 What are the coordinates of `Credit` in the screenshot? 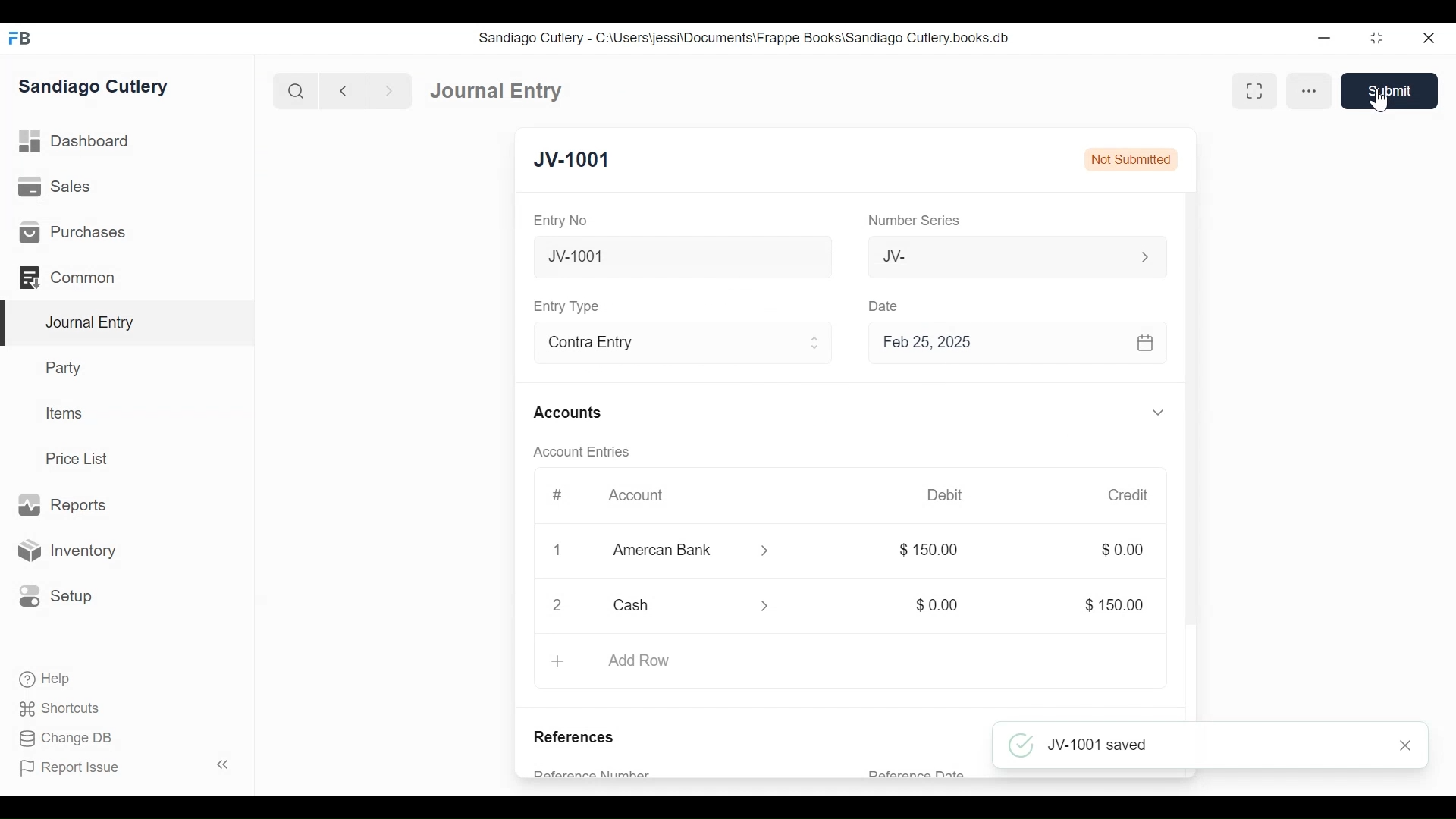 It's located at (1127, 495).